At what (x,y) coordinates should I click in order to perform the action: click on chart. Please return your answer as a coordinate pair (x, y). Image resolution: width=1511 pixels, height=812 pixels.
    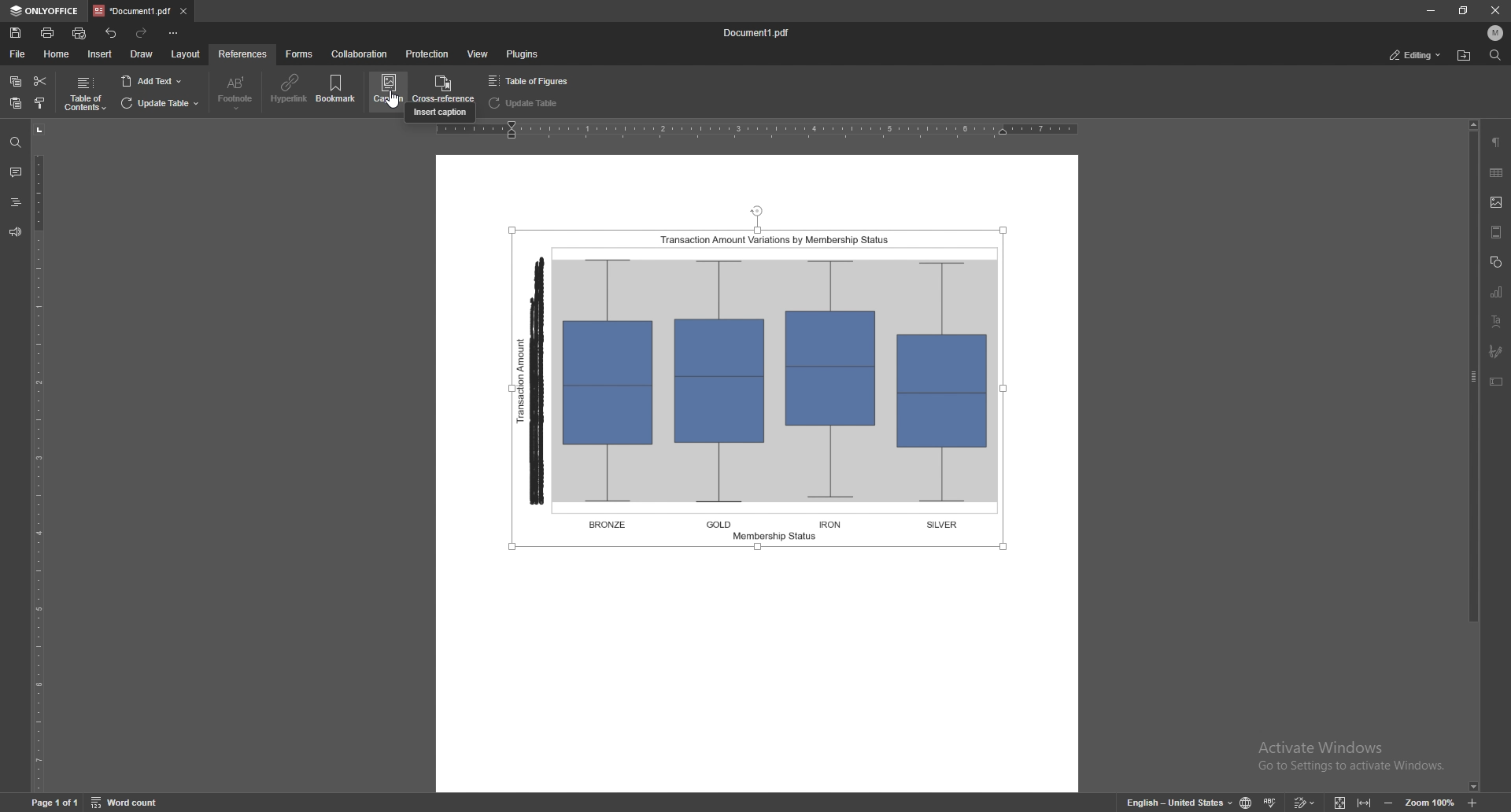
    Looking at the image, I should click on (1498, 291).